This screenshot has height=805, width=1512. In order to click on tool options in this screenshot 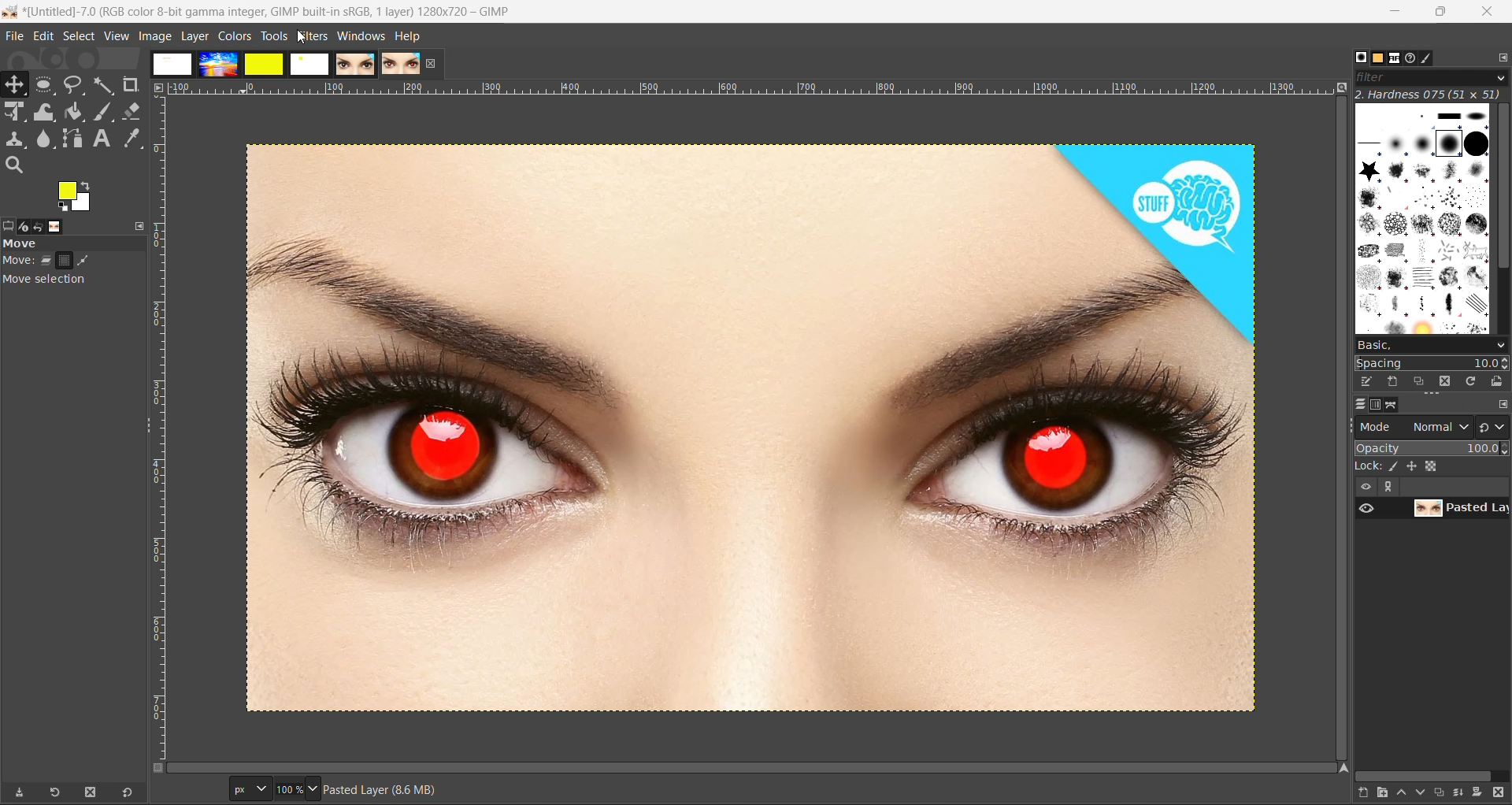, I will do `click(9, 224)`.